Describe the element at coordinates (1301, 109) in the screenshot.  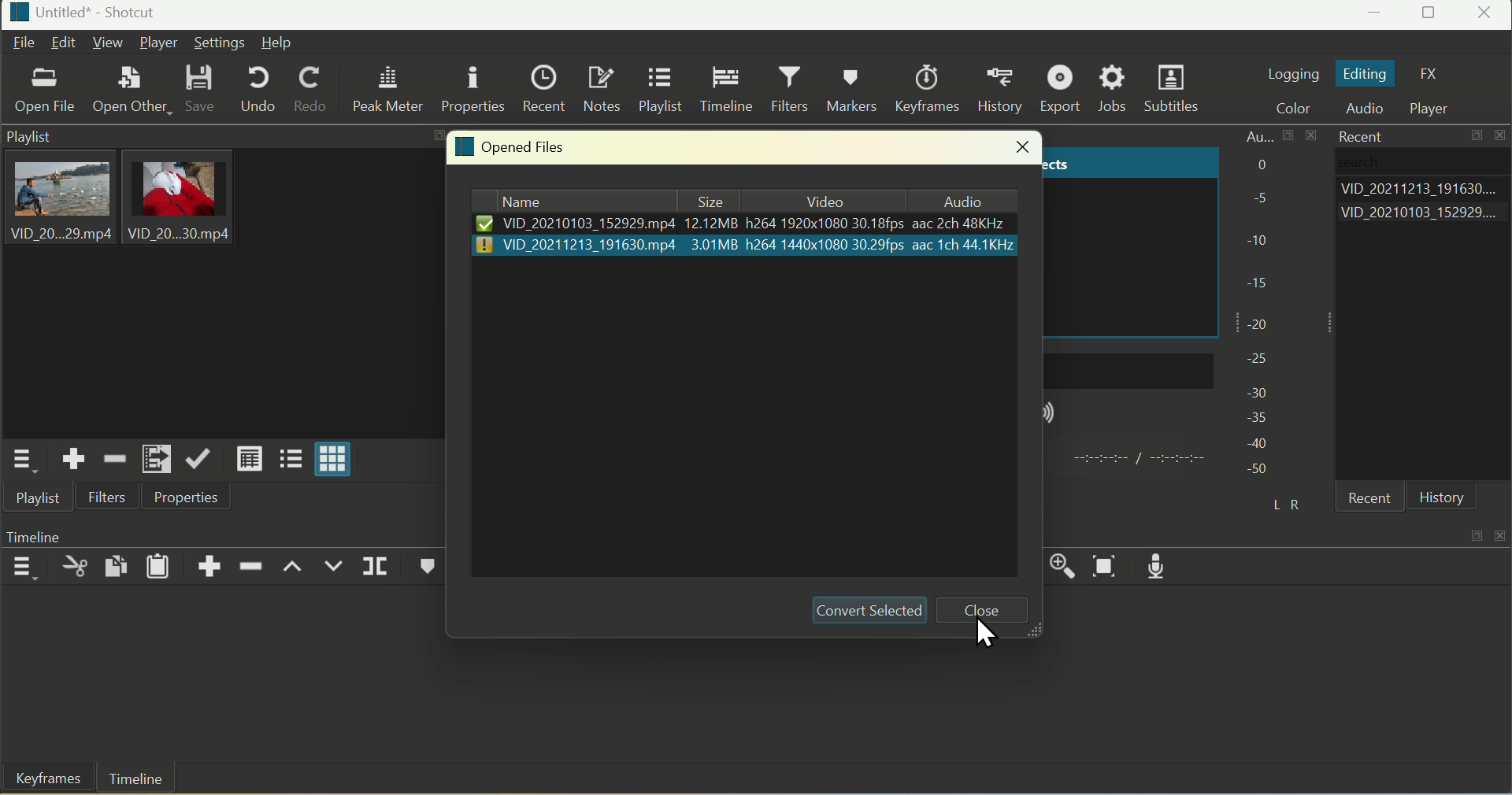
I see `Color` at that location.